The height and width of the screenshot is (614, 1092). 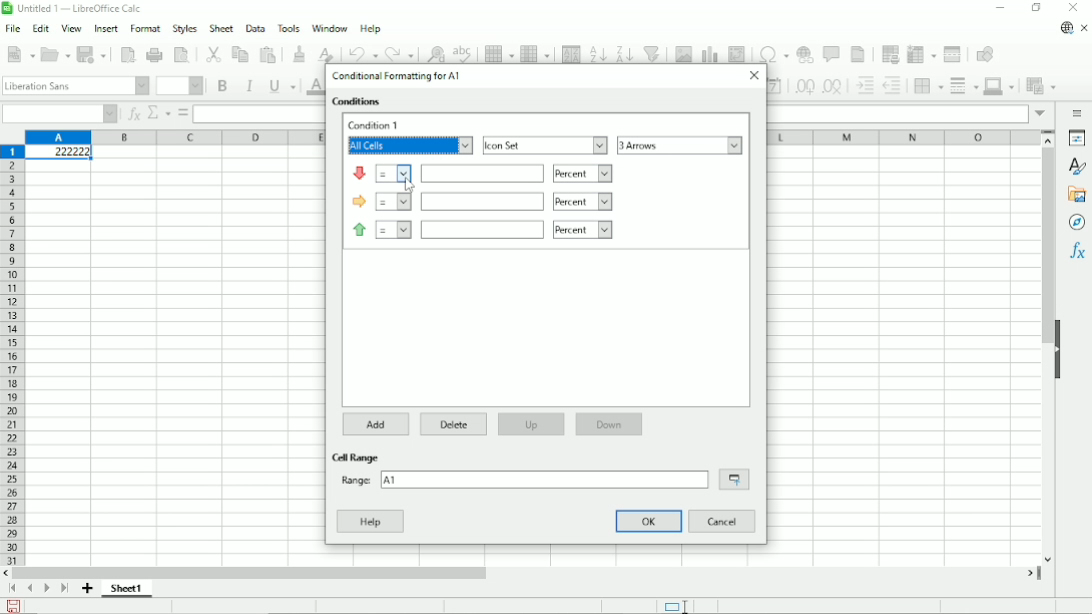 I want to click on icon condition, so click(x=448, y=228).